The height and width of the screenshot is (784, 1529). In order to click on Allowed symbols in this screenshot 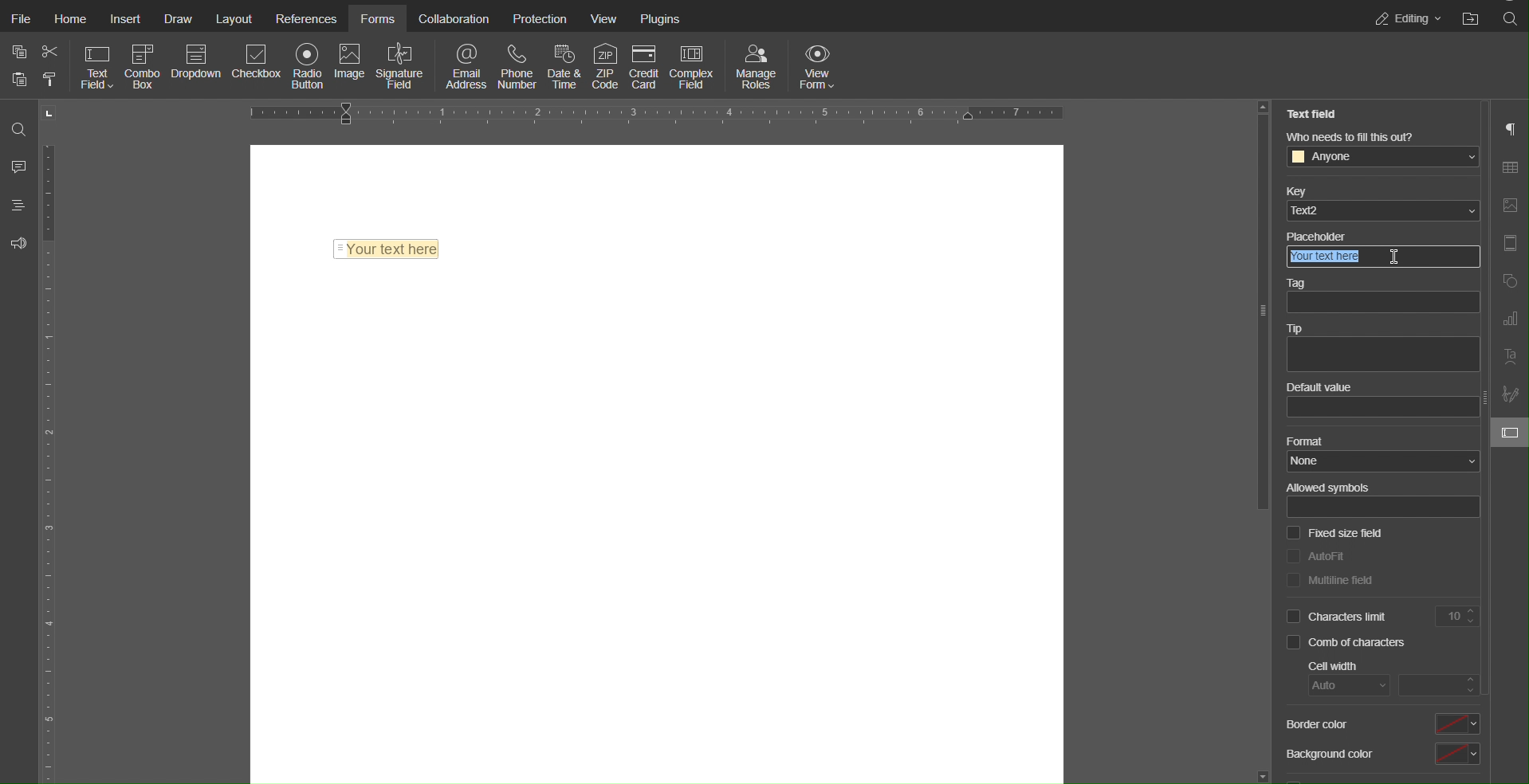, I will do `click(1384, 500)`.